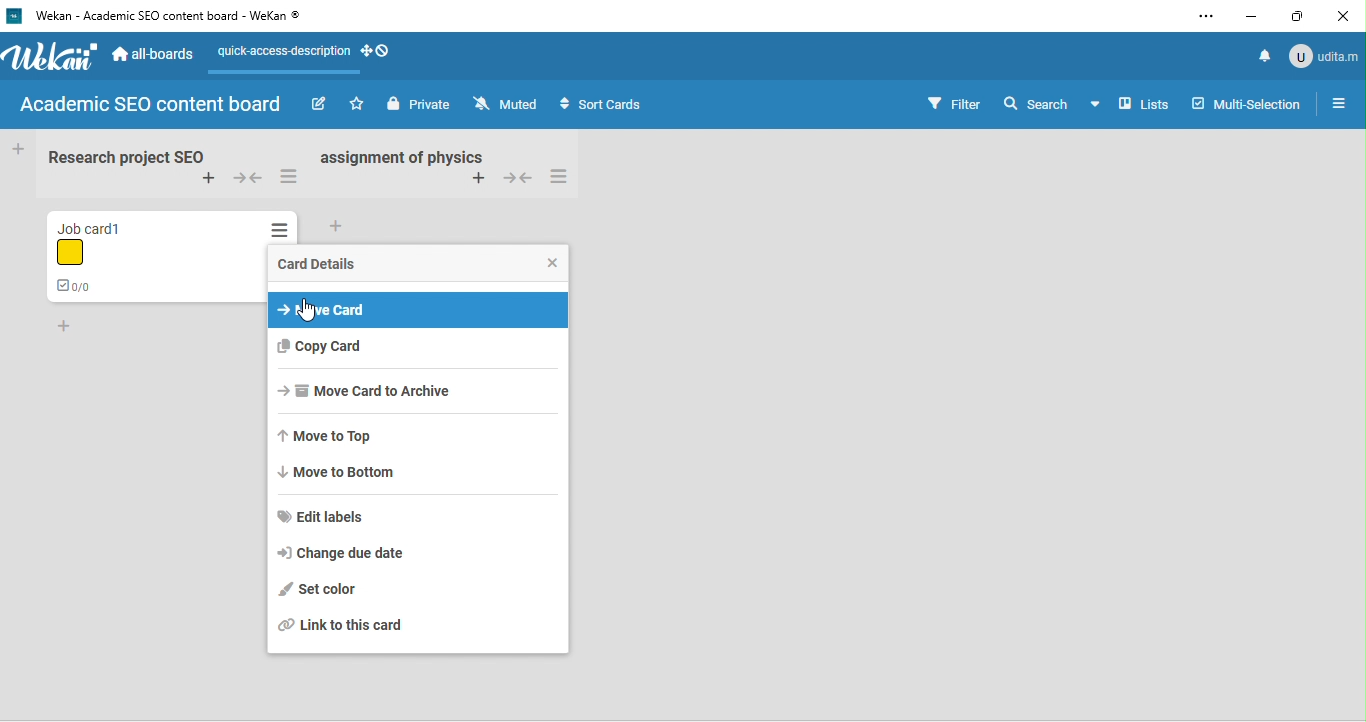  What do you see at coordinates (627, 104) in the screenshot?
I see `sort cards` at bounding box center [627, 104].